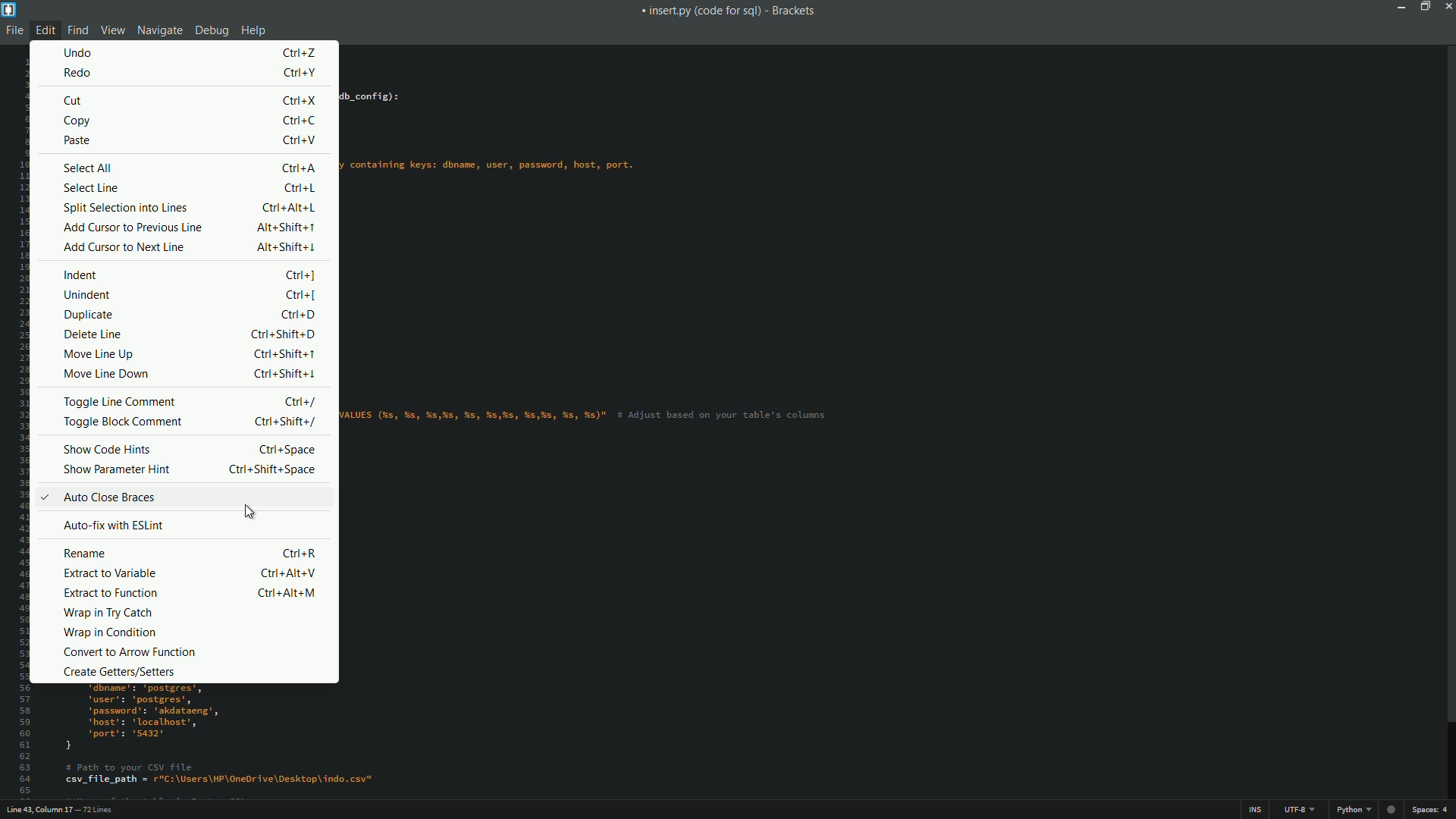 Image resolution: width=1456 pixels, height=819 pixels. I want to click on wrap in try catch, so click(108, 614).